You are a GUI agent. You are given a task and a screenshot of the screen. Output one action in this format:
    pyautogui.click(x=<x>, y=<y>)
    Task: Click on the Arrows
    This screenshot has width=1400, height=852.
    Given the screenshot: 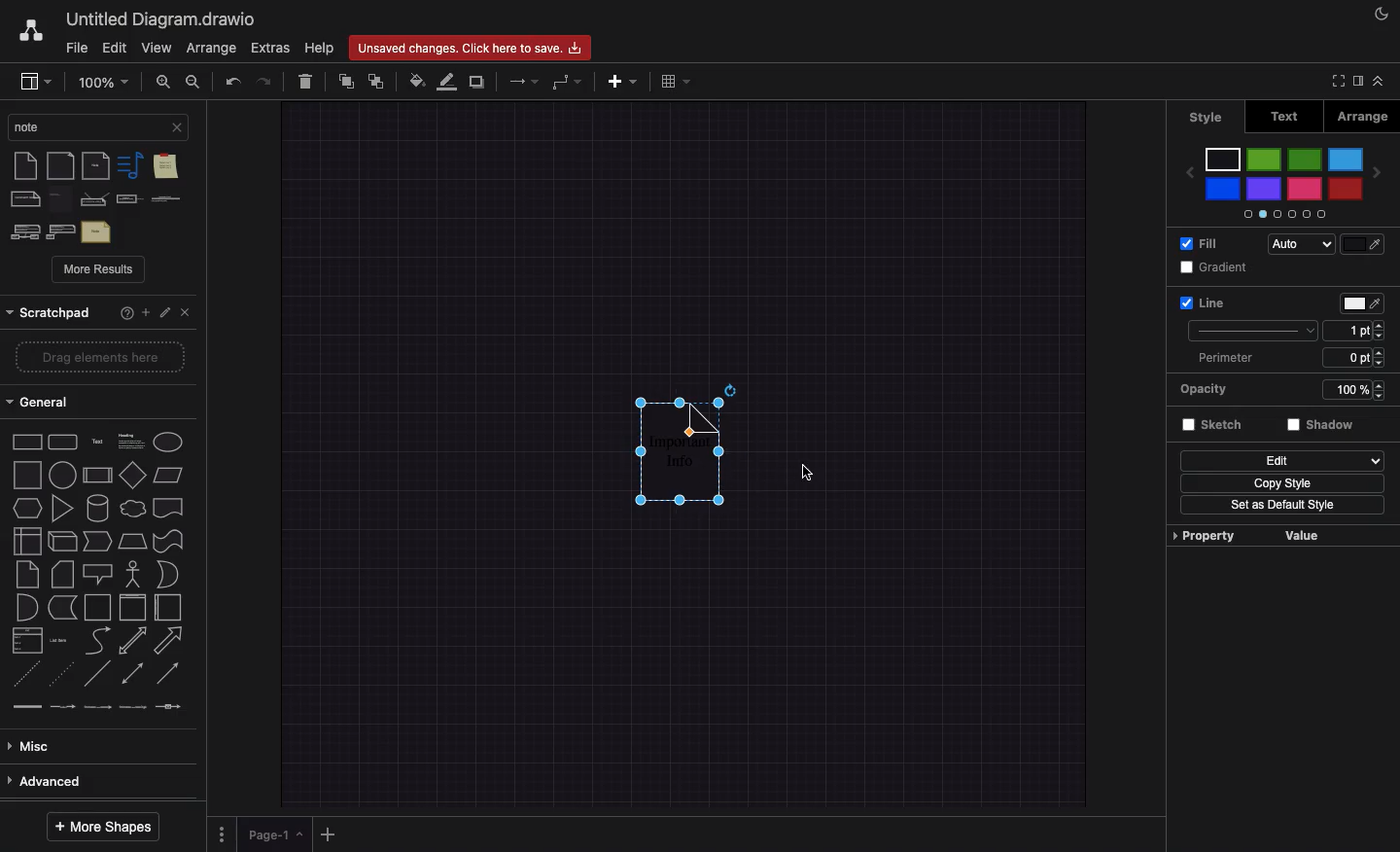 What is the action you would take?
    pyautogui.click(x=521, y=80)
    